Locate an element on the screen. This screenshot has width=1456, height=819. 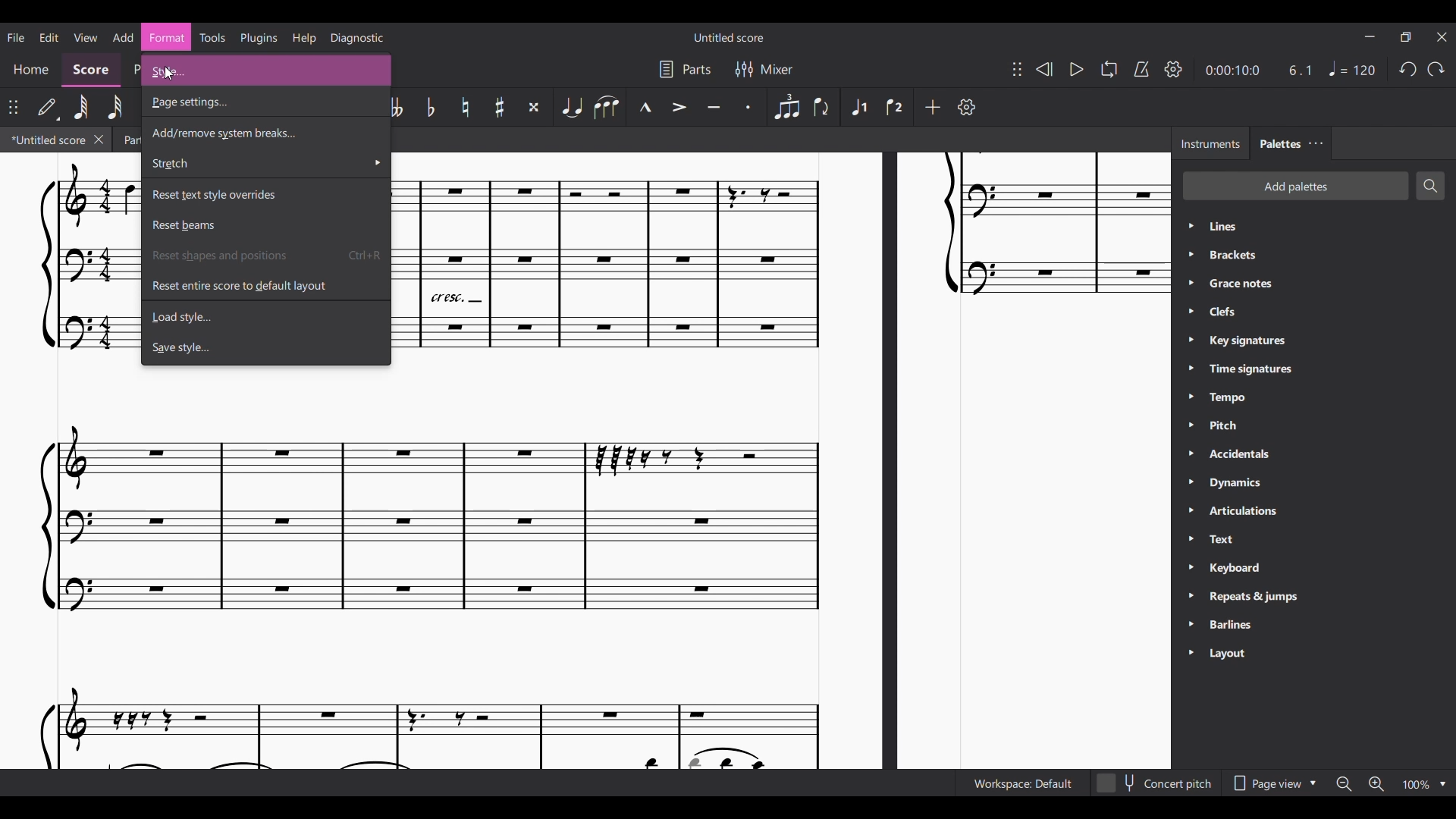
Toggle double flat is located at coordinates (396, 107).